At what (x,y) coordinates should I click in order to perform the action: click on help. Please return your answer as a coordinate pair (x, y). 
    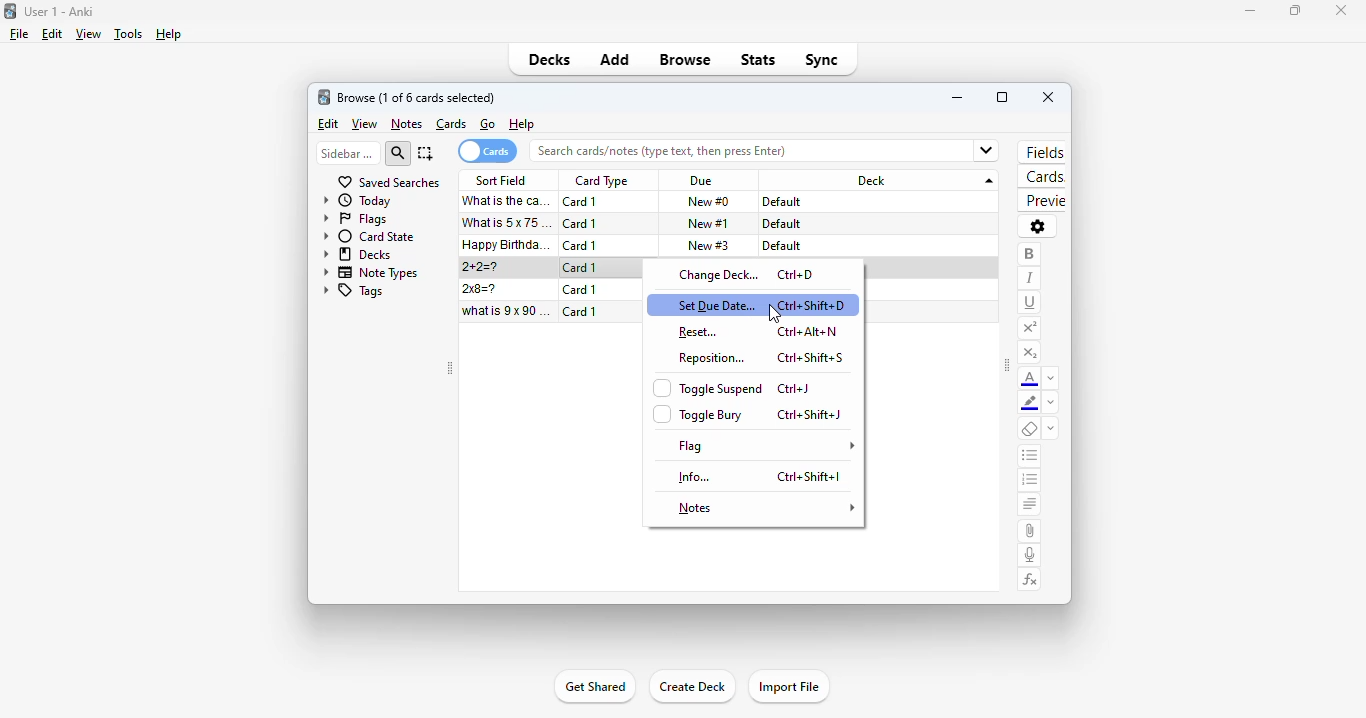
    Looking at the image, I should click on (521, 125).